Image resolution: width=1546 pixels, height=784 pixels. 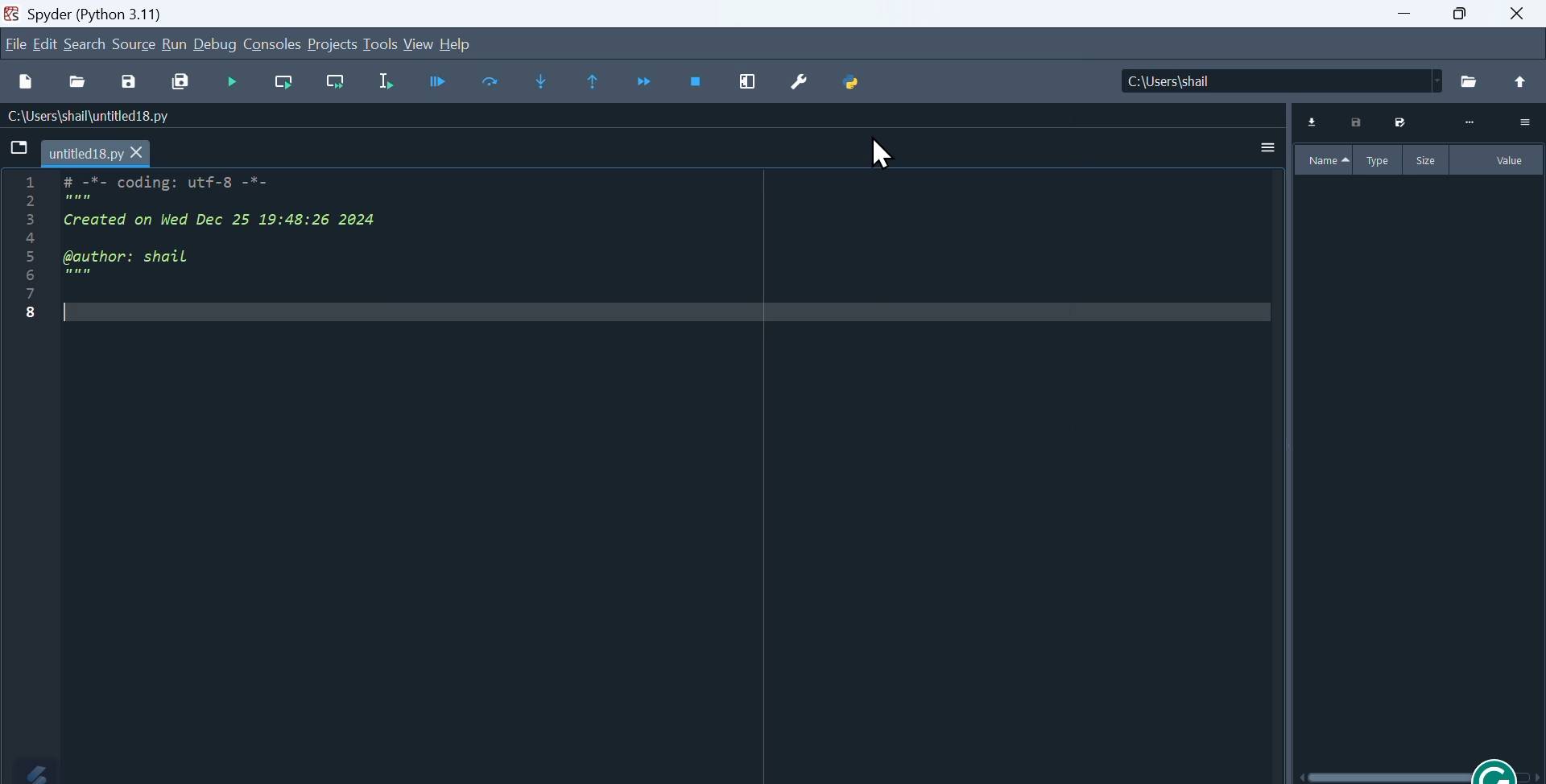 What do you see at coordinates (421, 43) in the screenshot?
I see `view` at bounding box center [421, 43].